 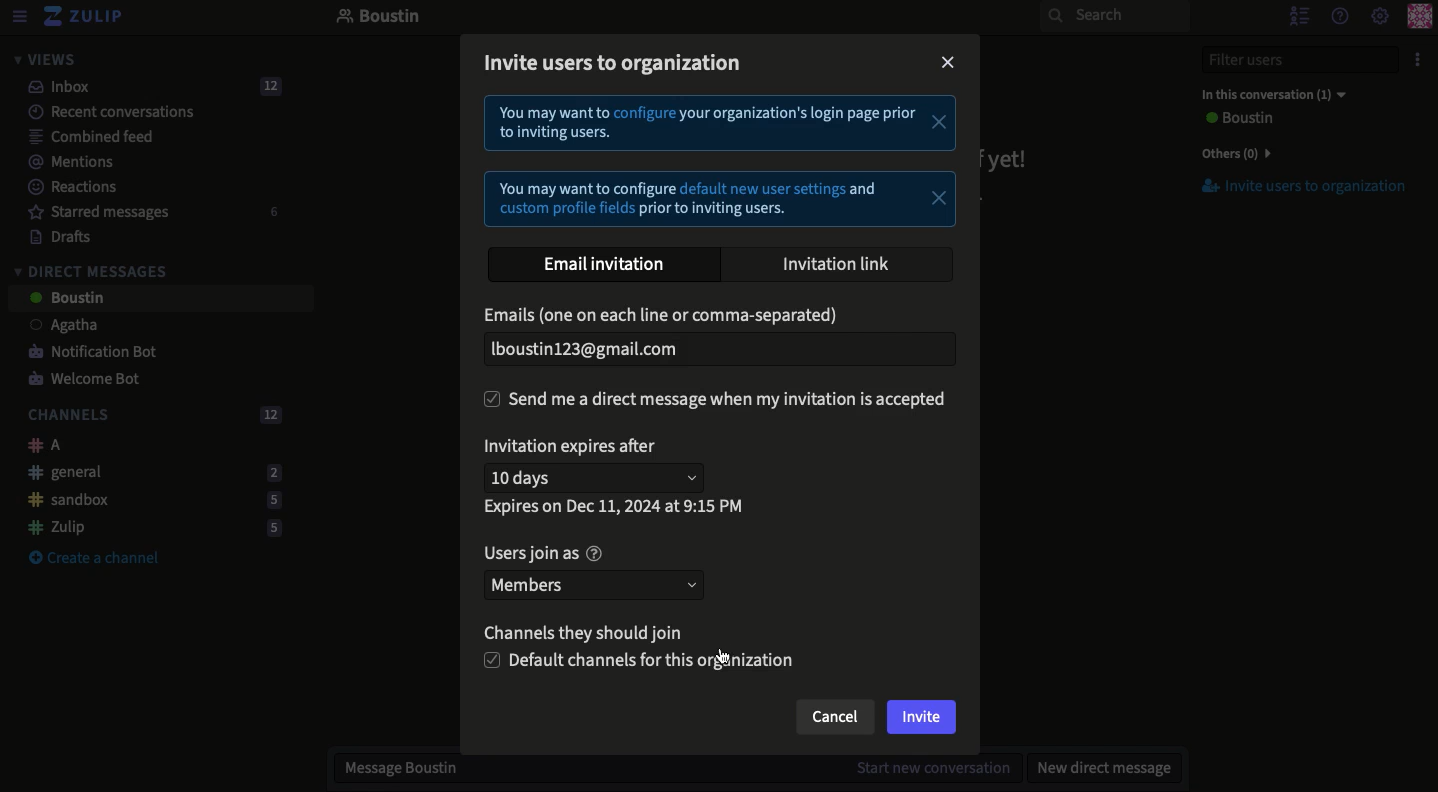 What do you see at coordinates (716, 401) in the screenshot?
I see `Send DM when invitation is accepted` at bounding box center [716, 401].